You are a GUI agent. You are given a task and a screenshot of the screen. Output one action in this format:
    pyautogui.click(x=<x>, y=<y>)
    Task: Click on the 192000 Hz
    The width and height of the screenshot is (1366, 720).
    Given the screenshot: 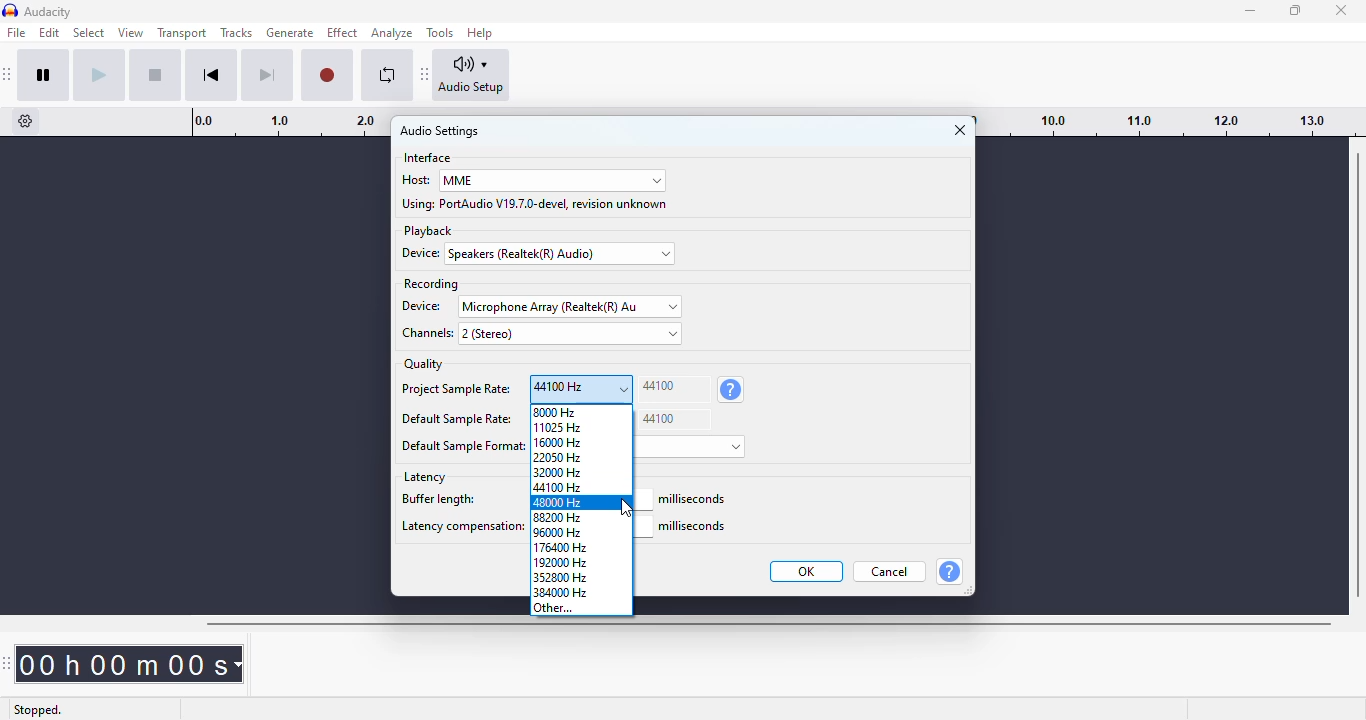 What is the action you would take?
    pyautogui.click(x=581, y=563)
    